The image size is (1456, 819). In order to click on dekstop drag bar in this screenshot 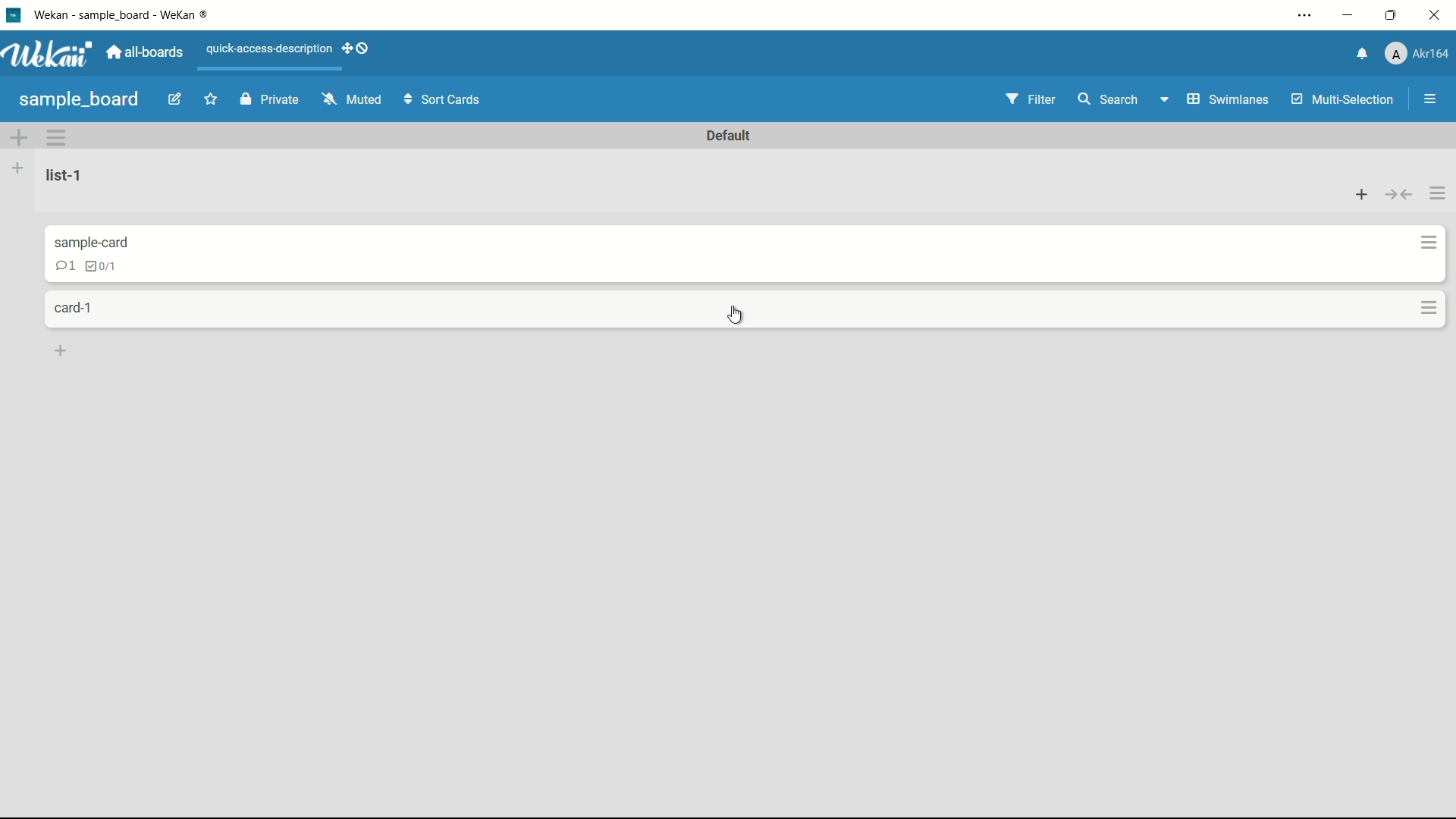, I will do `click(356, 50)`.